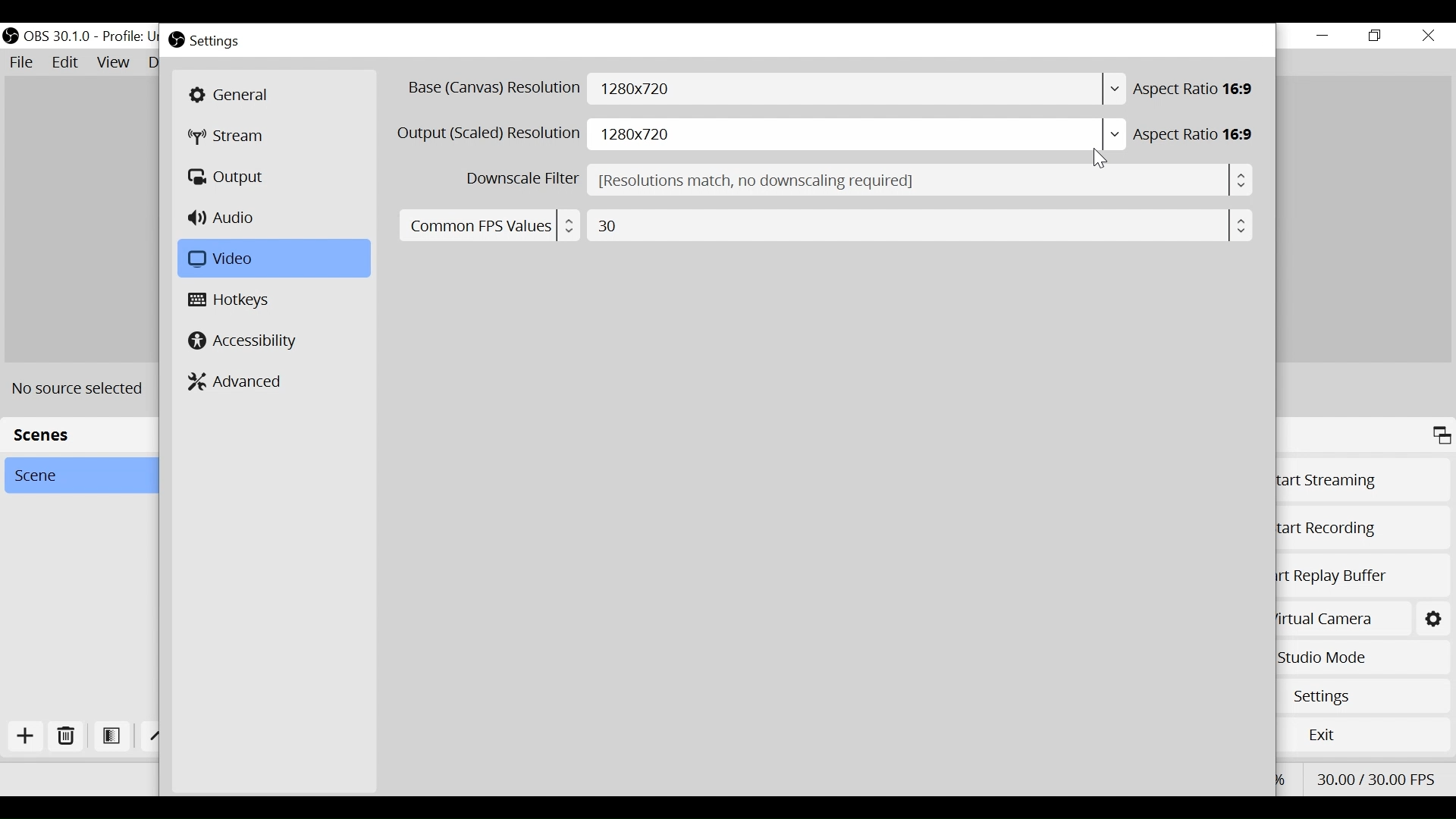  Describe the element at coordinates (229, 177) in the screenshot. I see `Output` at that location.